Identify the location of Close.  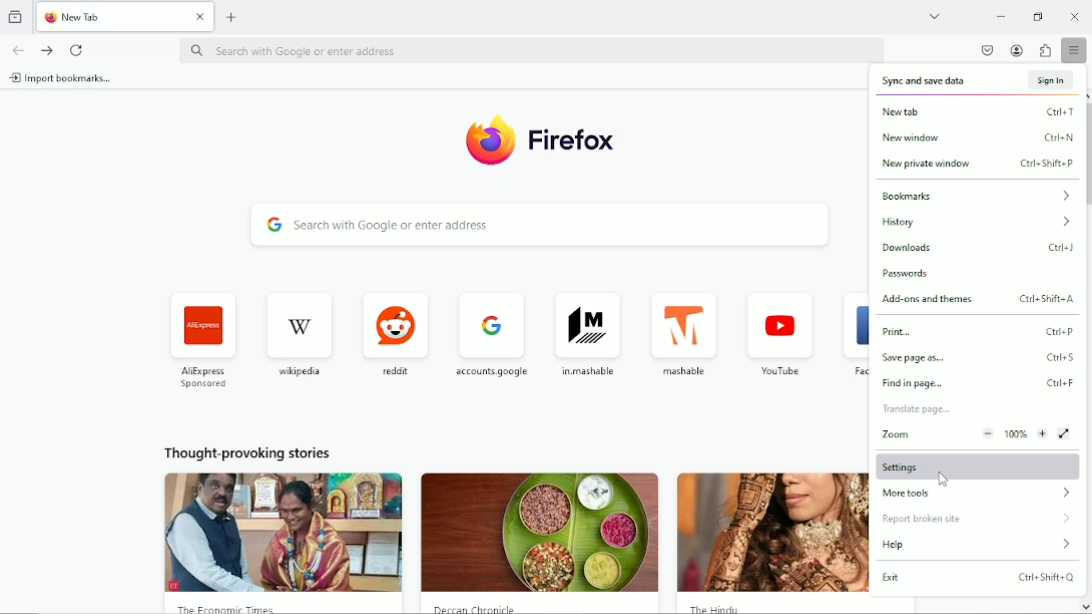
(1076, 18).